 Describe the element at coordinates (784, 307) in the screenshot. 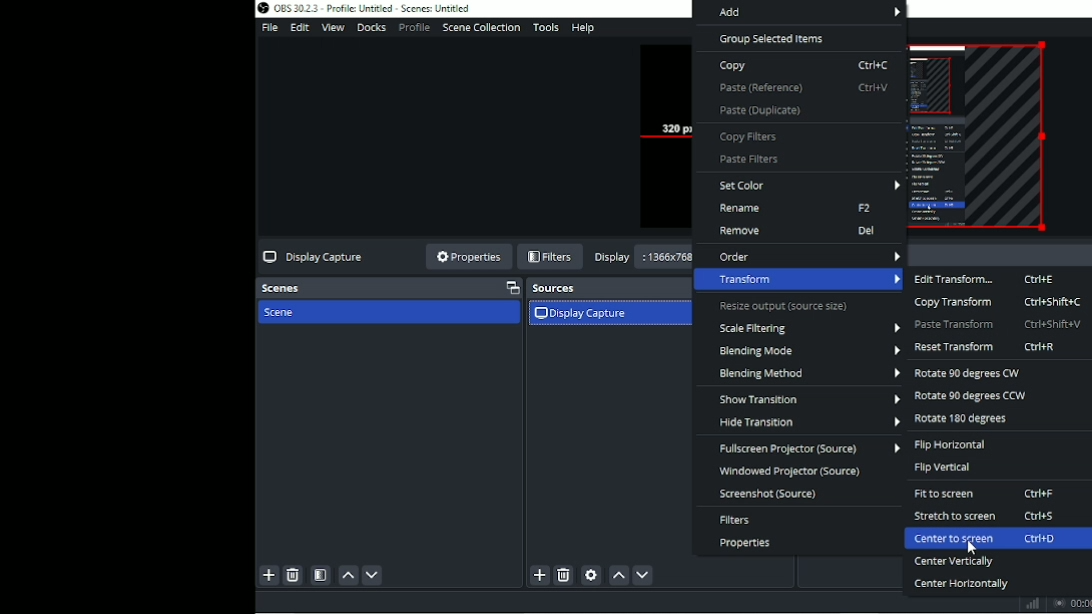

I see `Resize output` at that location.